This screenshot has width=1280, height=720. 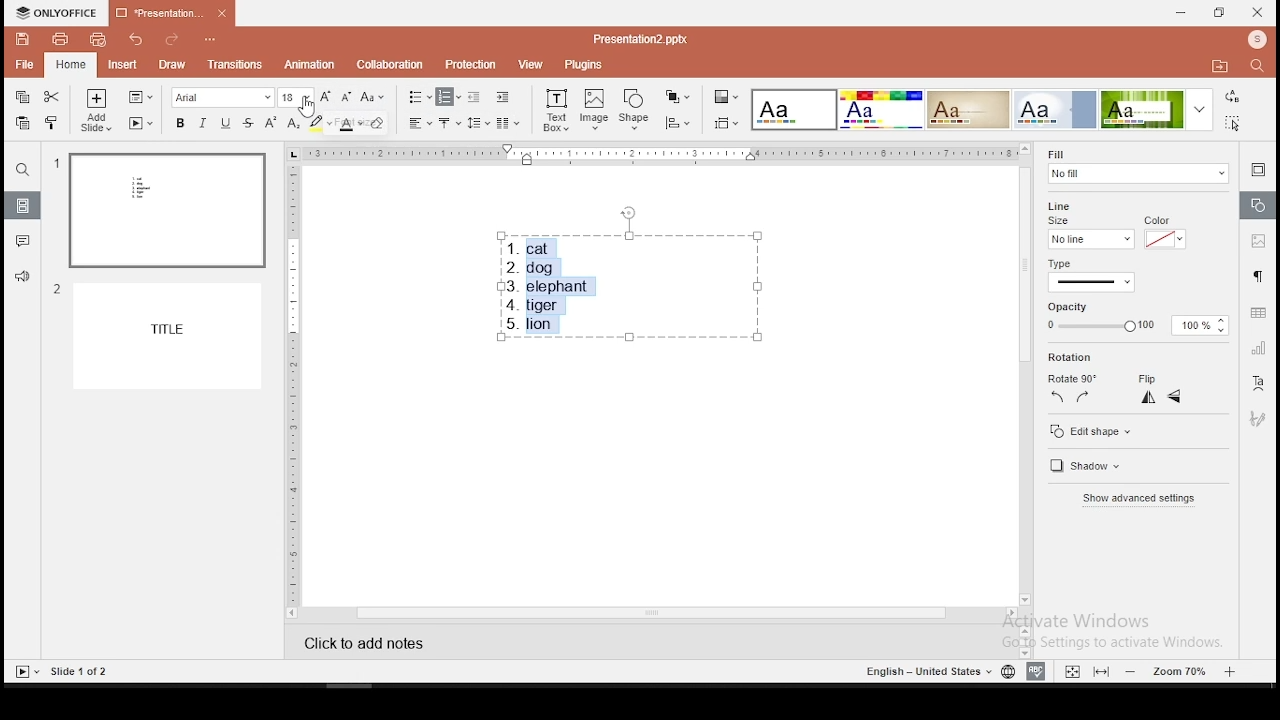 I want to click on icon, so click(x=58, y=13).